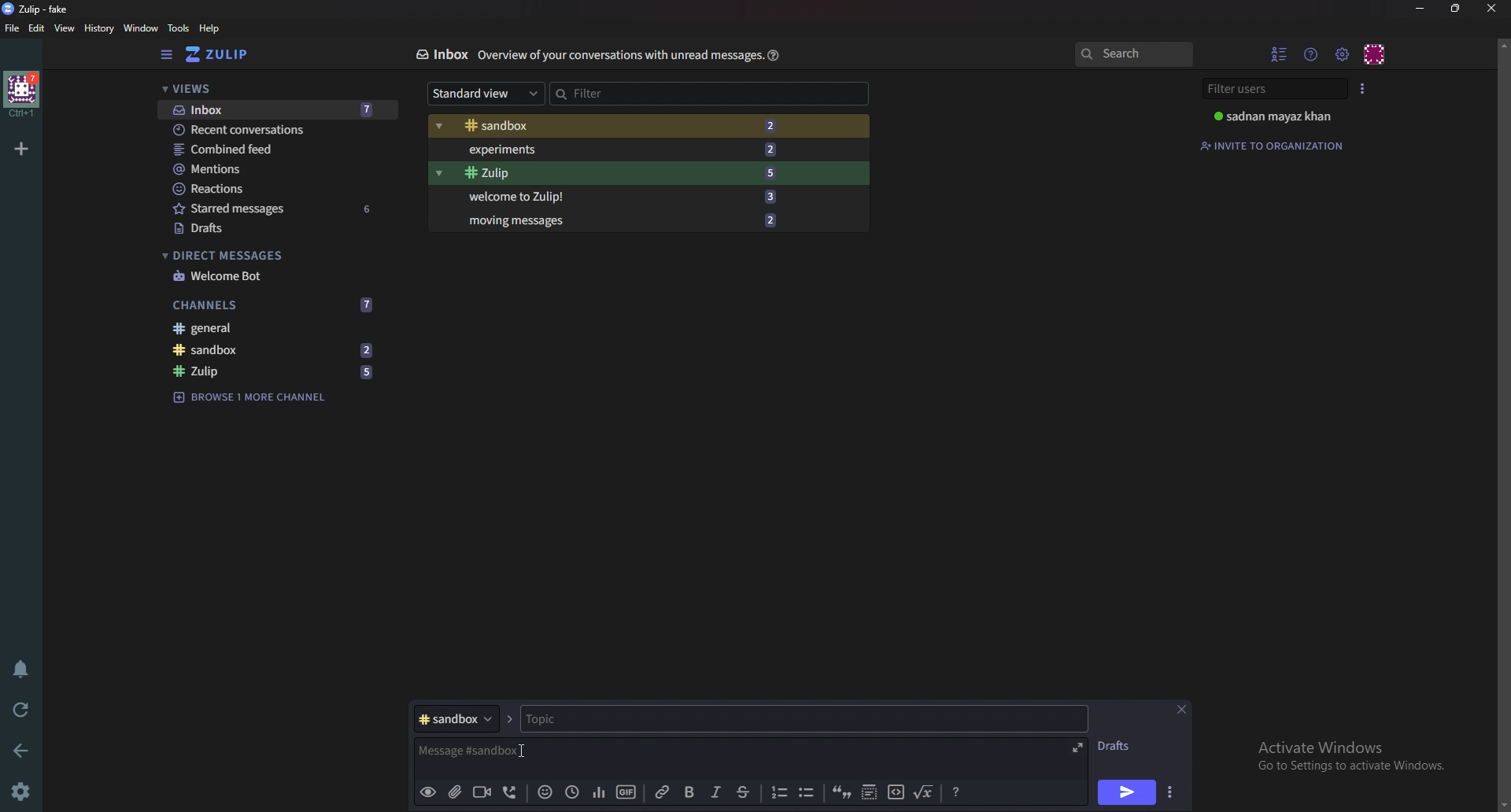  Describe the element at coordinates (273, 187) in the screenshot. I see `Reactions` at that location.